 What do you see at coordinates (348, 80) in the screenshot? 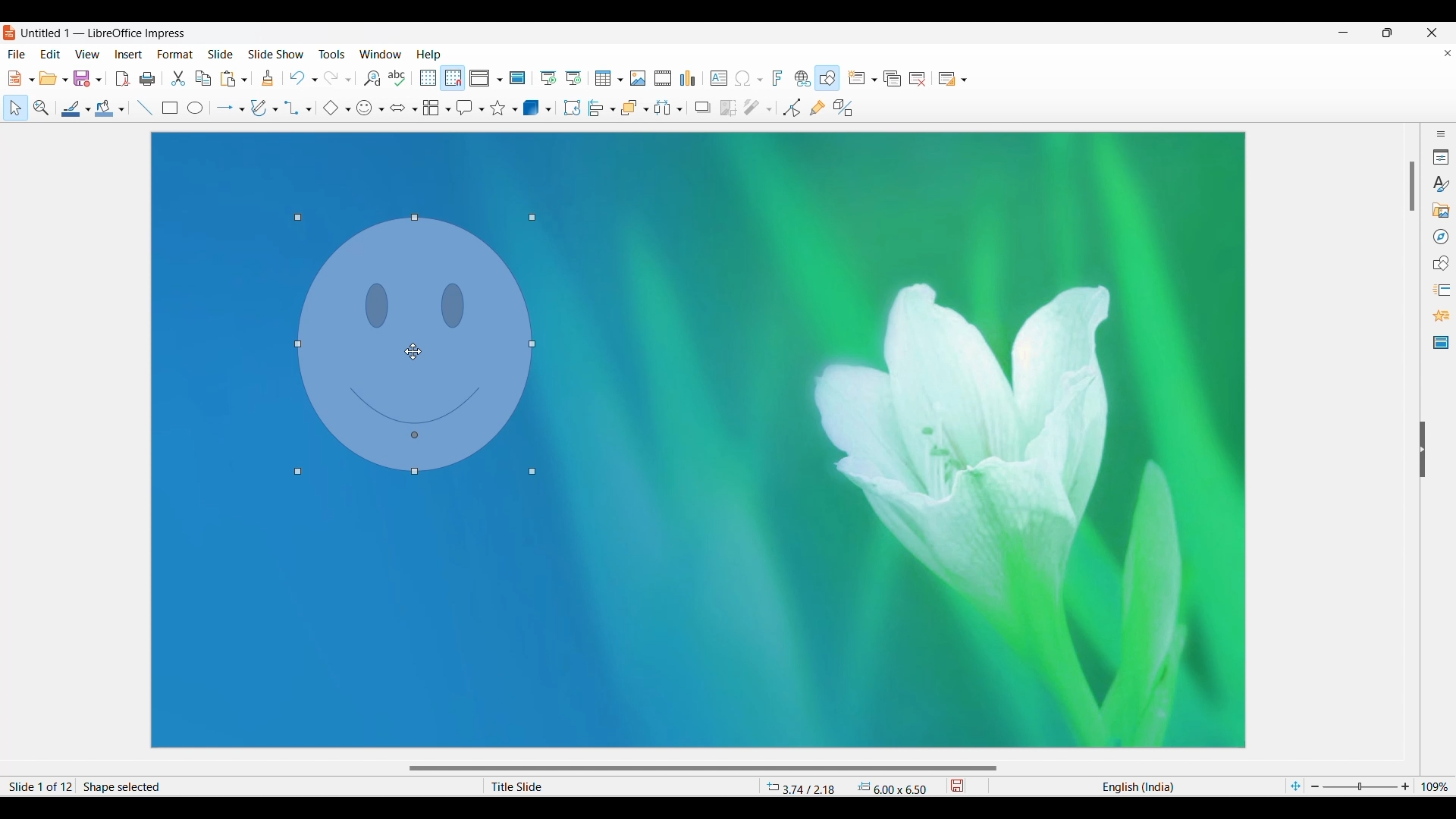
I see `Redo specific action` at bounding box center [348, 80].